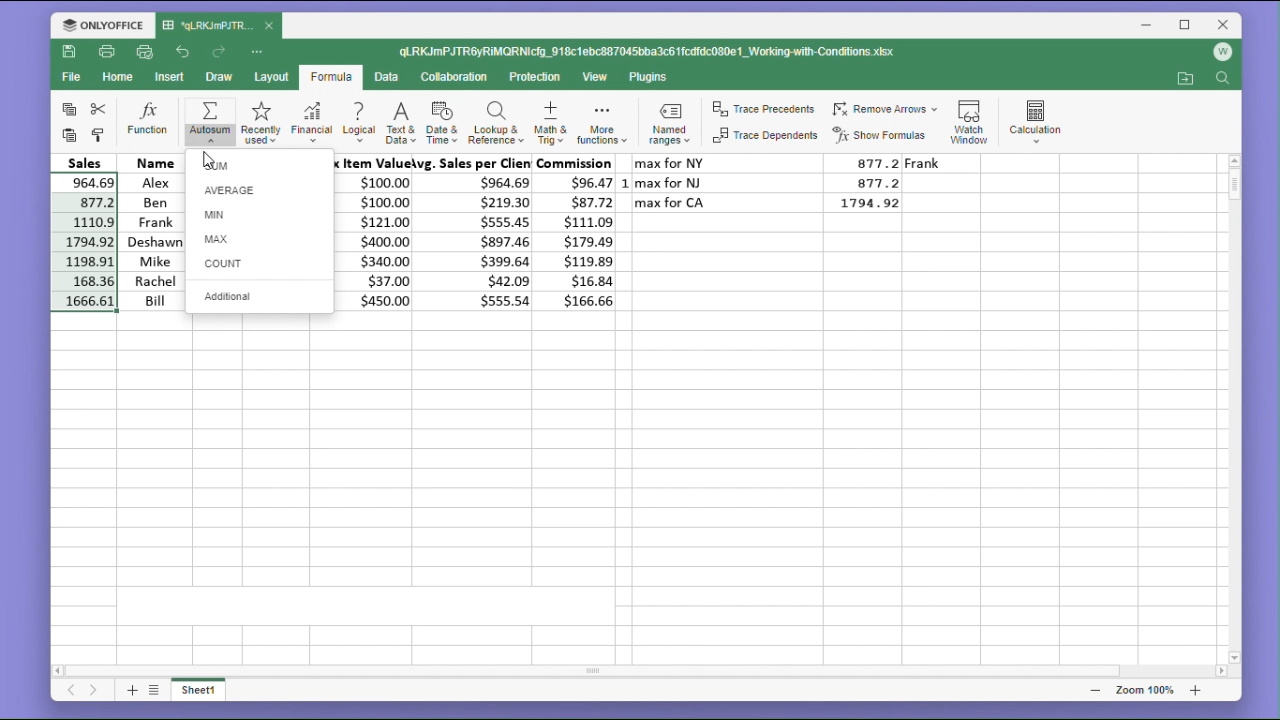 This screenshot has width=1280, height=720. I want to click on format painter, so click(100, 134).